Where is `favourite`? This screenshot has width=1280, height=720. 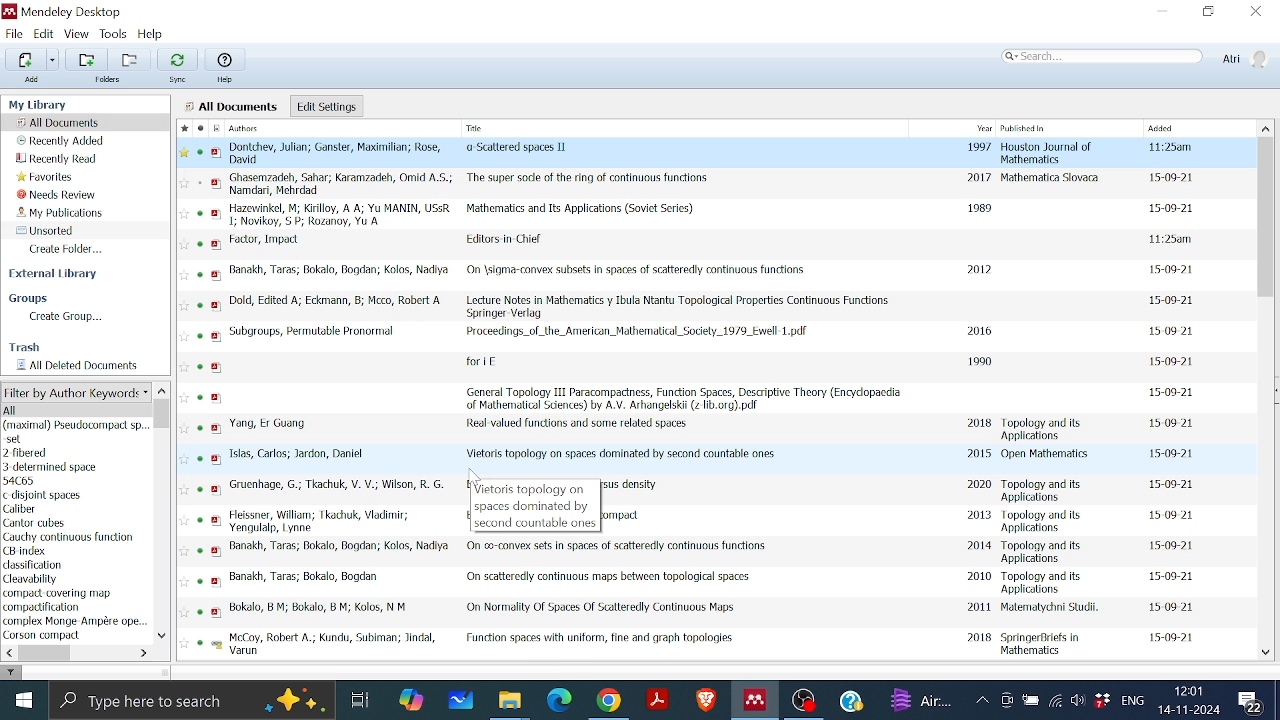 favourite is located at coordinates (184, 215).